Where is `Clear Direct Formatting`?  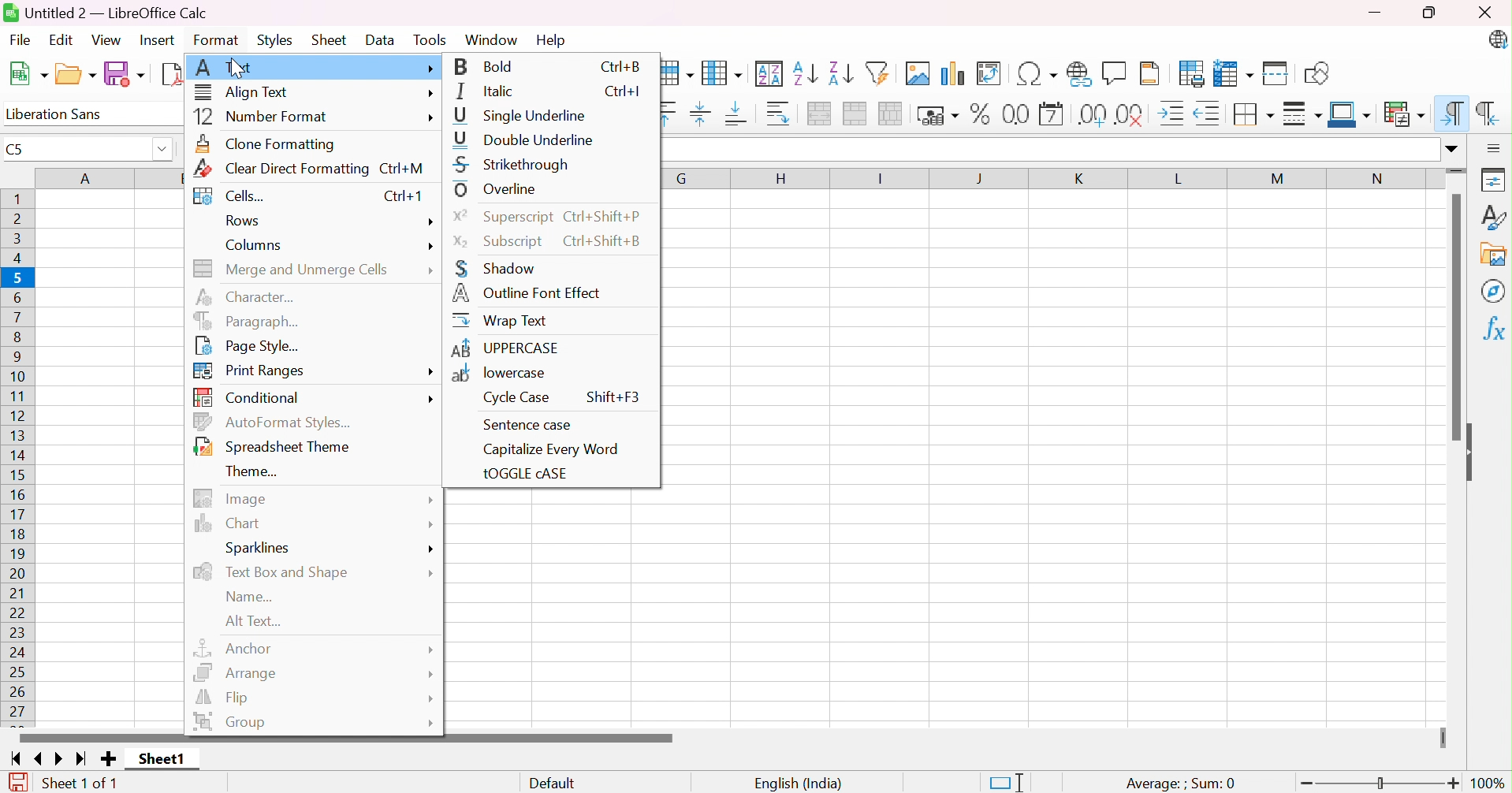
Clear Direct Formatting is located at coordinates (282, 168).